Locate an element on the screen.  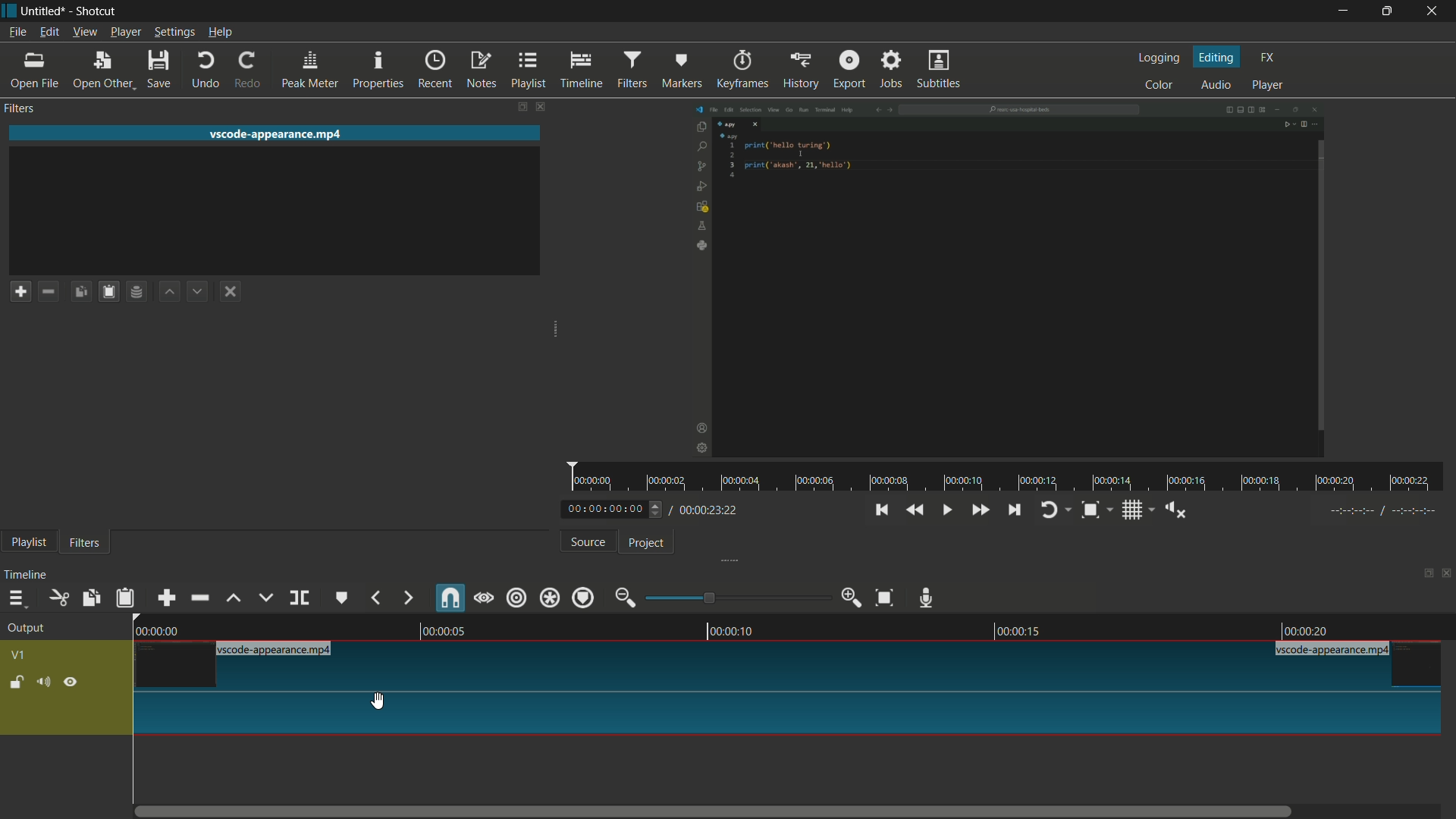
import file name is located at coordinates (279, 133).